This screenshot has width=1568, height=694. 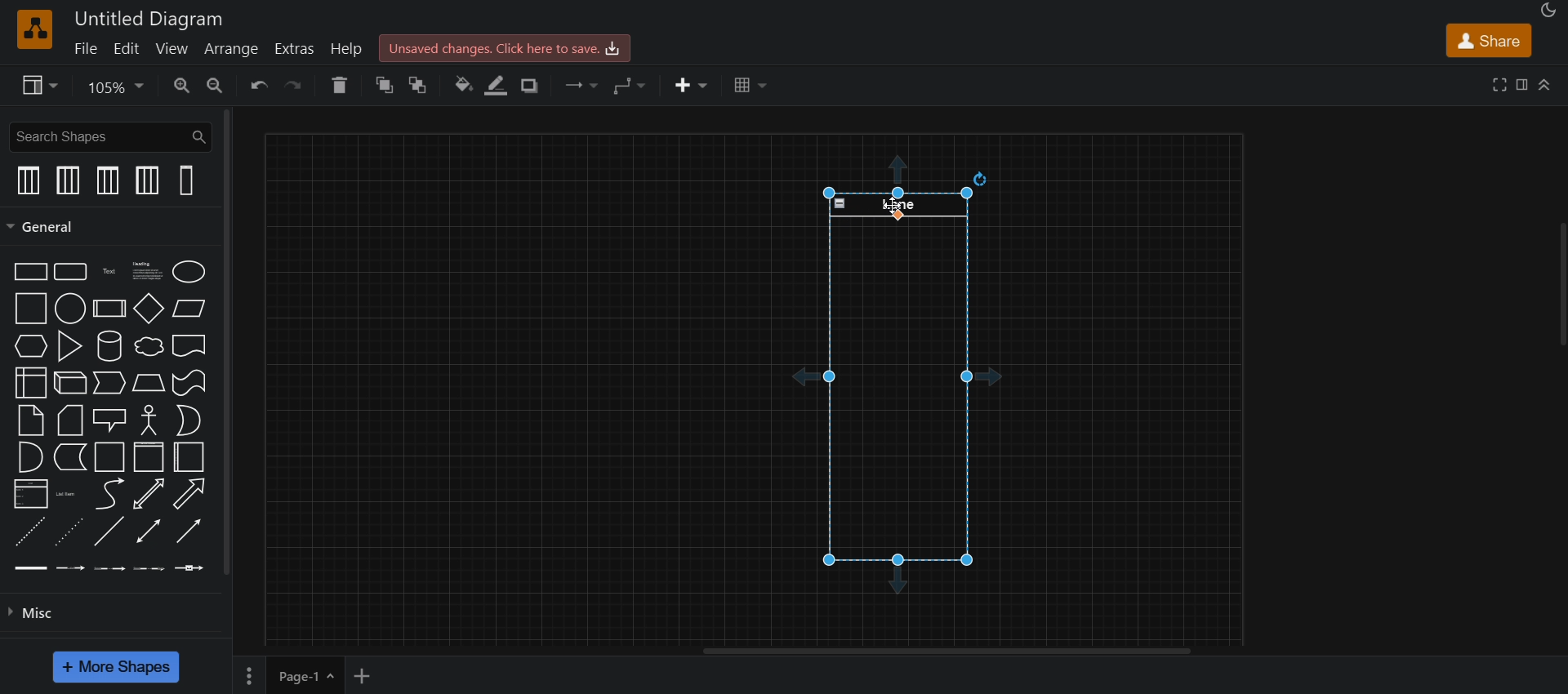 What do you see at coordinates (421, 87) in the screenshot?
I see `to back` at bounding box center [421, 87].